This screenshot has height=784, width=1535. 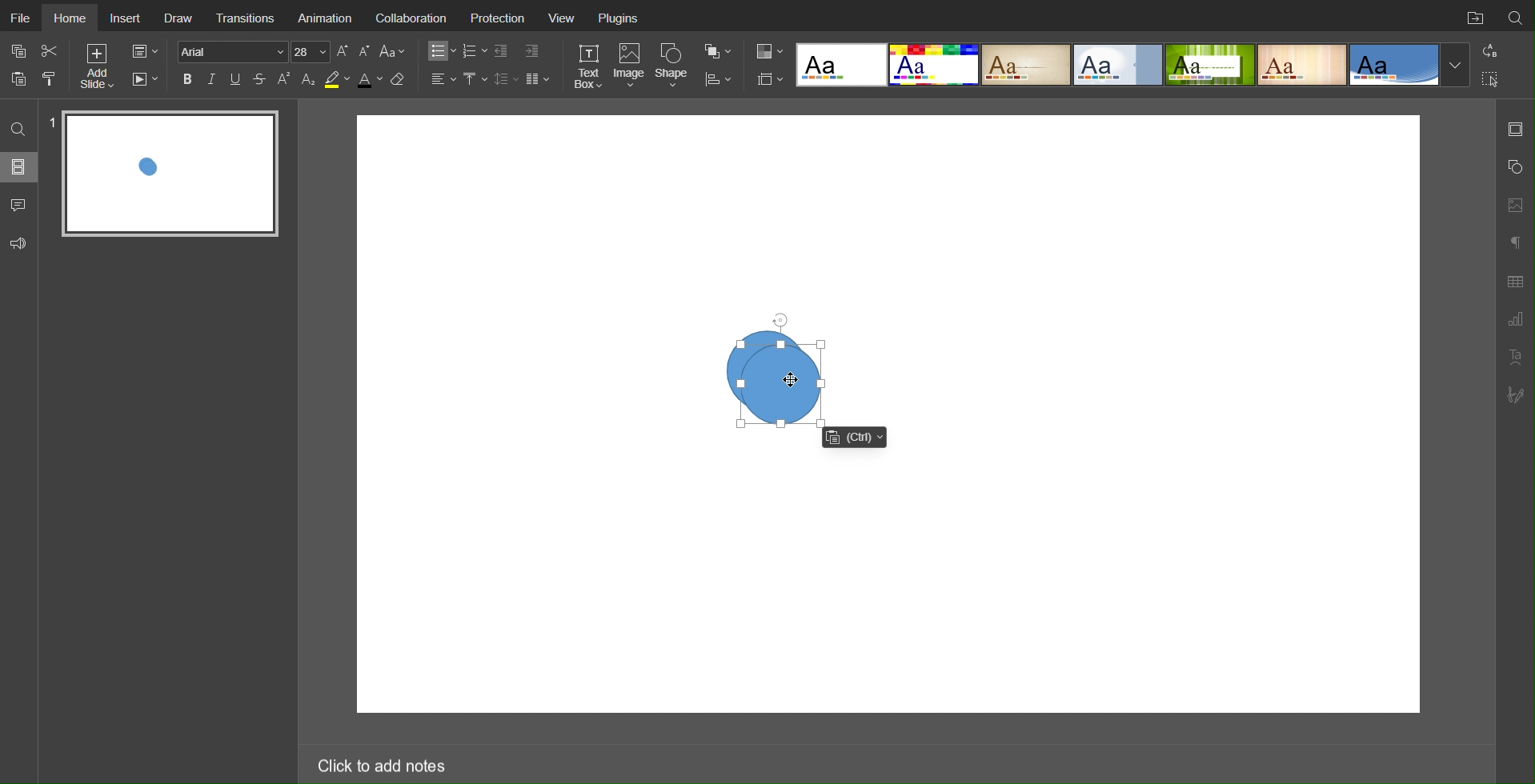 What do you see at coordinates (22, 53) in the screenshot?
I see `copy` at bounding box center [22, 53].